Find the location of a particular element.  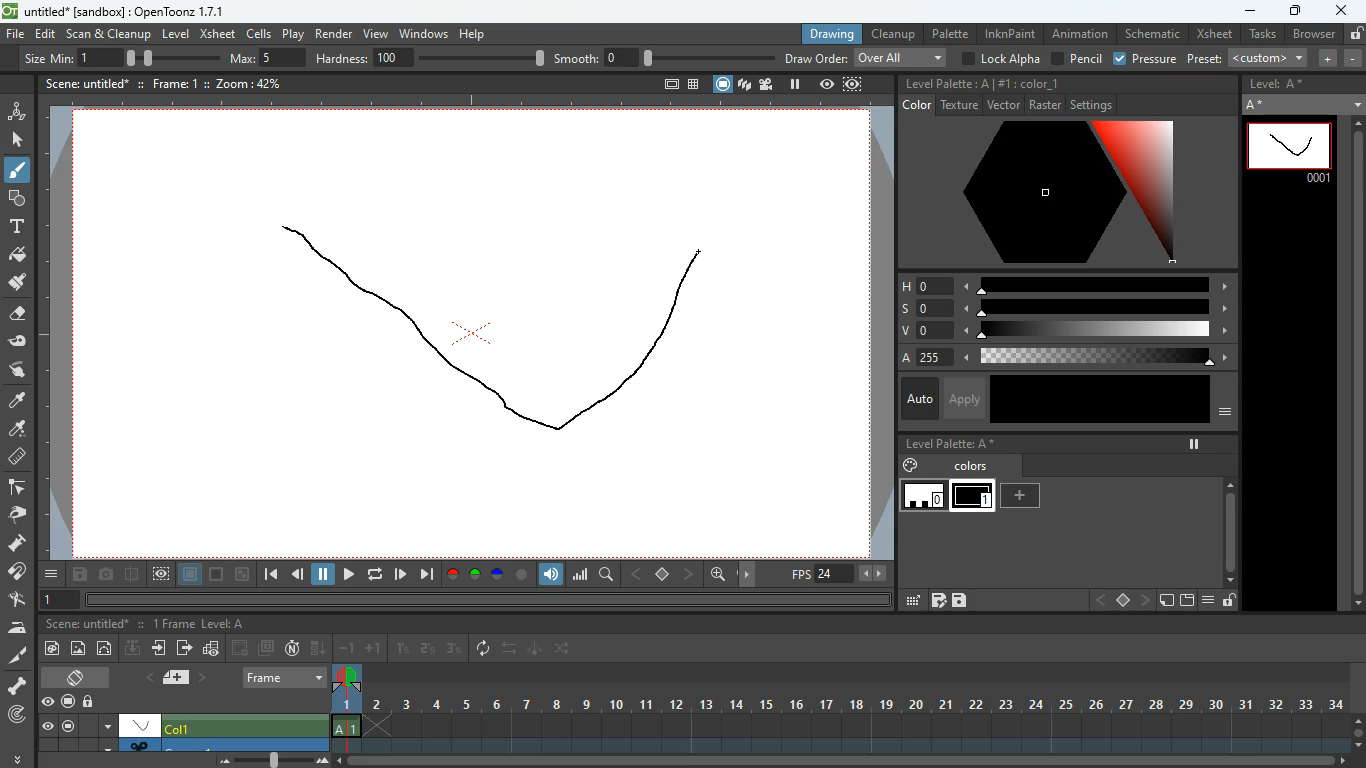

level palette is located at coordinates (950, 443).